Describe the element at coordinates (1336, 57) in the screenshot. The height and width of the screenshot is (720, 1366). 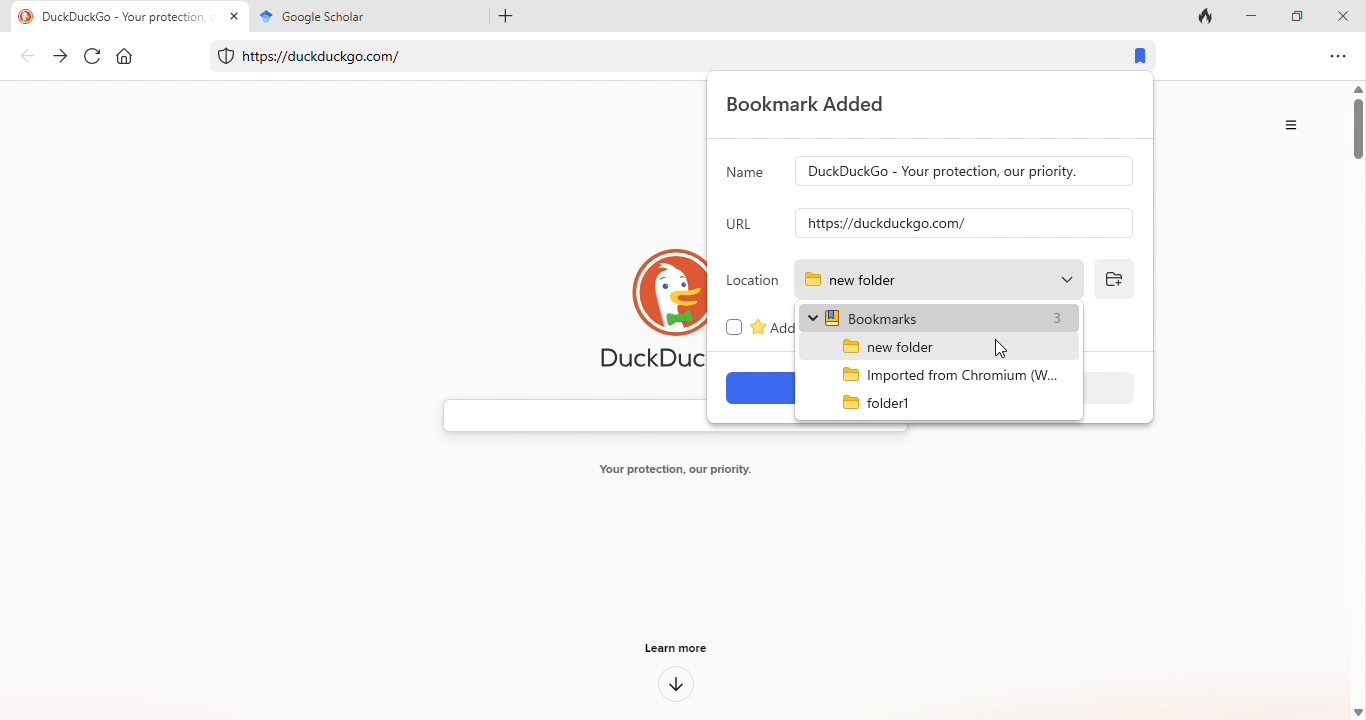
I see `options` at that location.